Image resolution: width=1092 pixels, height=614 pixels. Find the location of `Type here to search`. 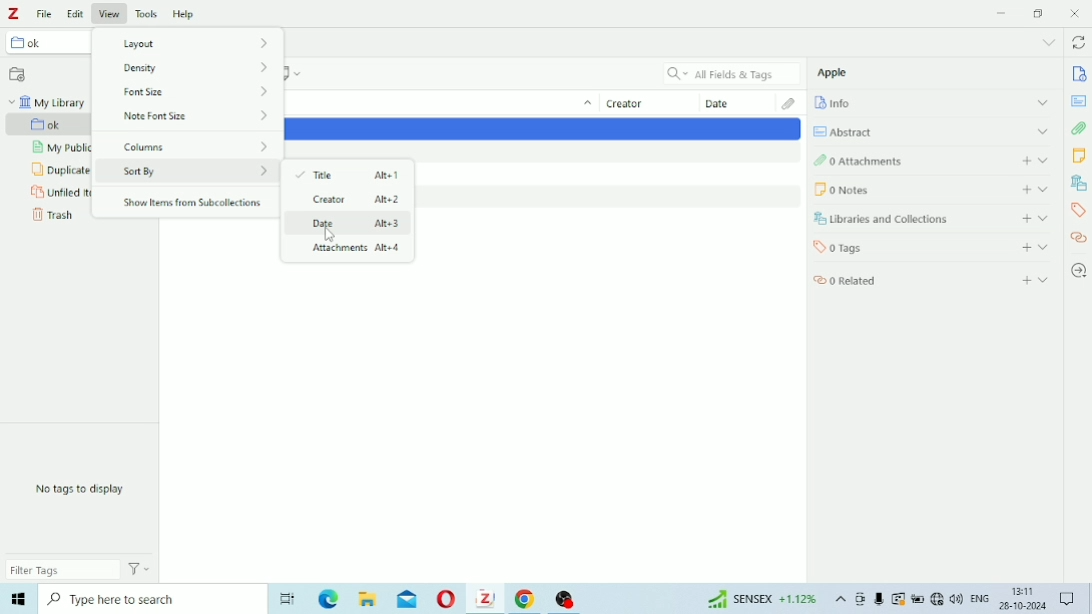

Type here to search is located at coordinates (147, 602).